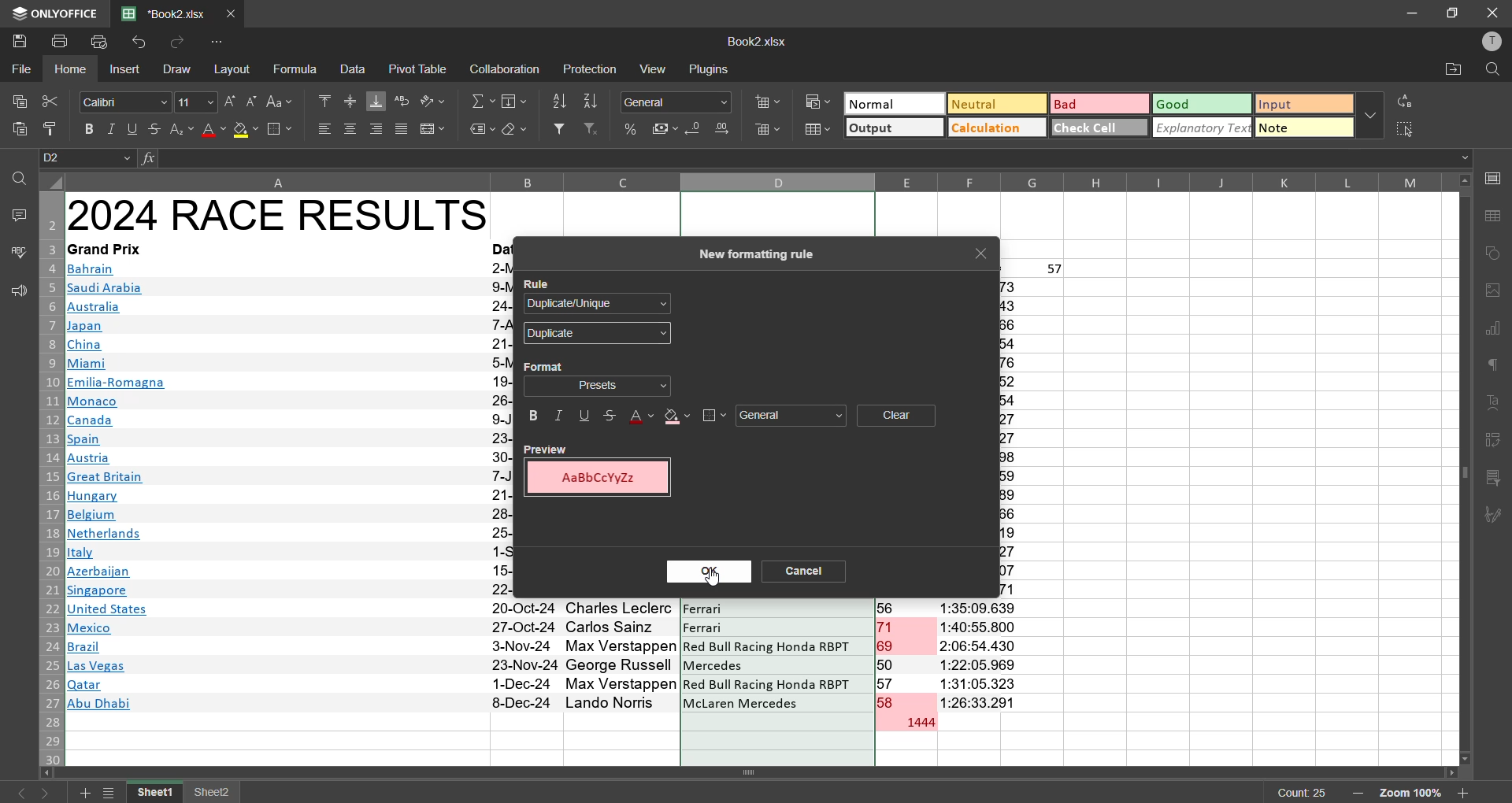 The height and width of the screenshot is (803, 1512). I want to click on undo, so click(143, 43).